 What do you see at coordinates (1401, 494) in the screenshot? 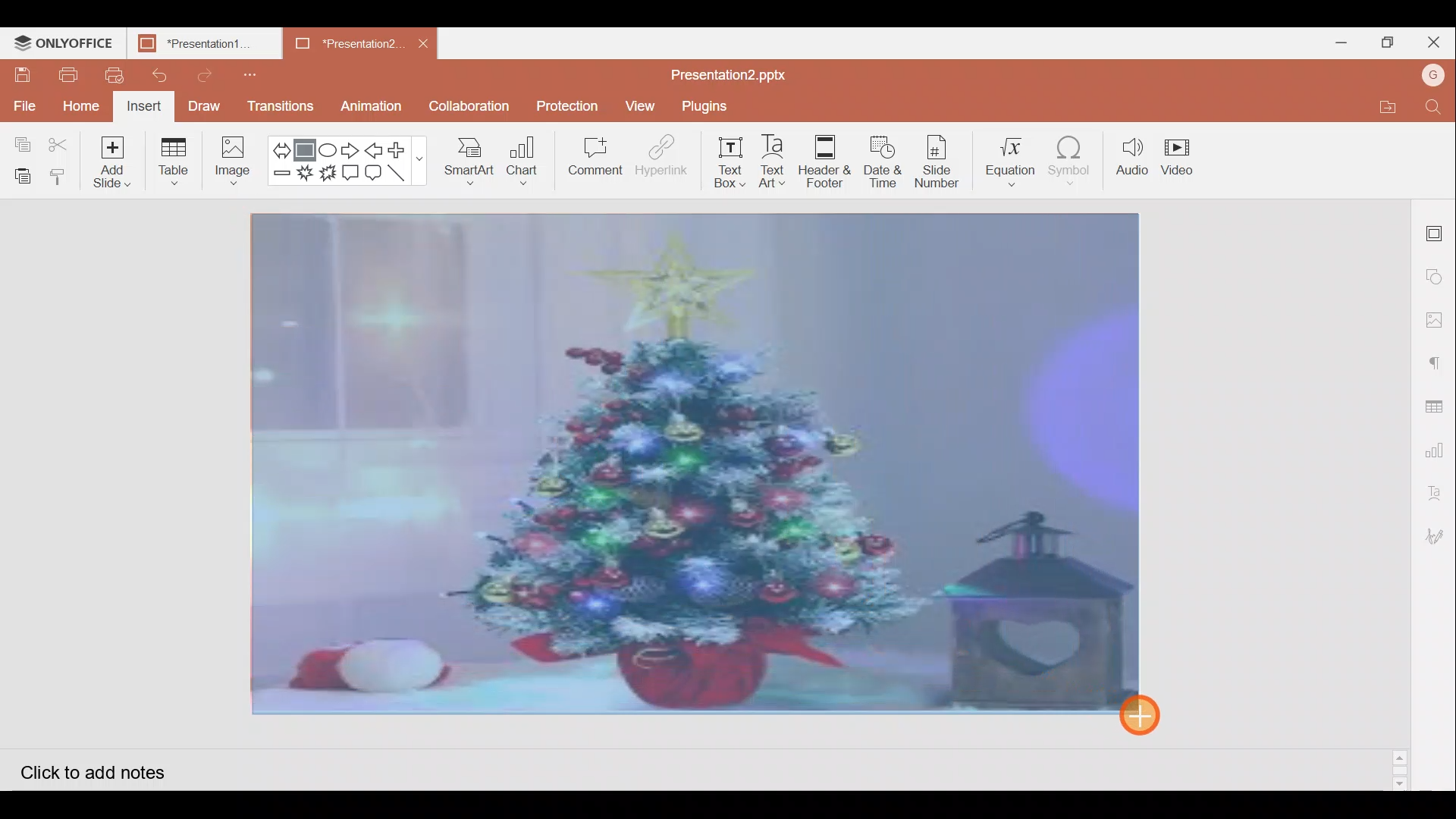
I see `Scroll bar` at bounding box center [1401, 494].